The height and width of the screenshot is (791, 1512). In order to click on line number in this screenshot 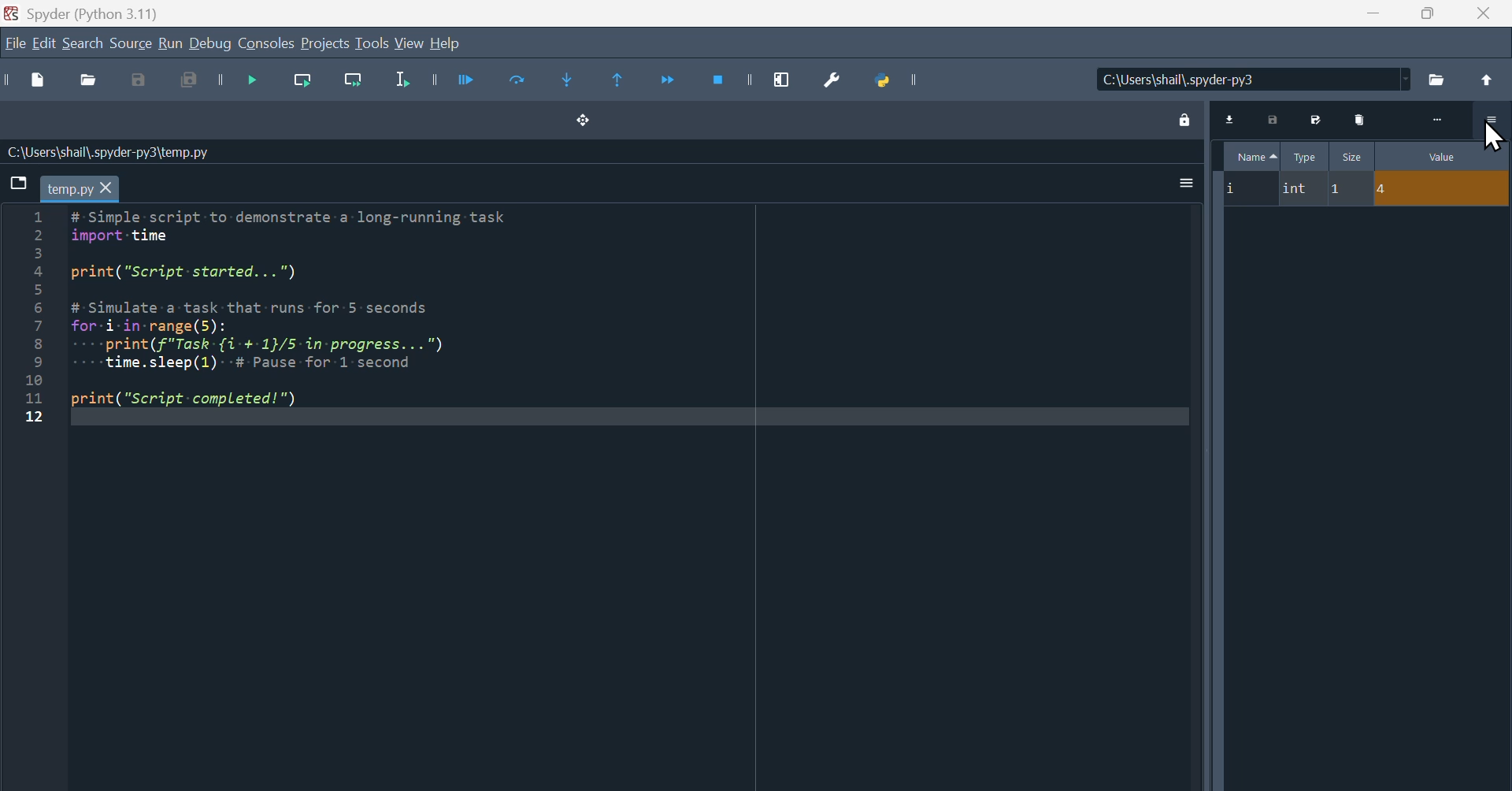, I will do `click(31, 318)`.